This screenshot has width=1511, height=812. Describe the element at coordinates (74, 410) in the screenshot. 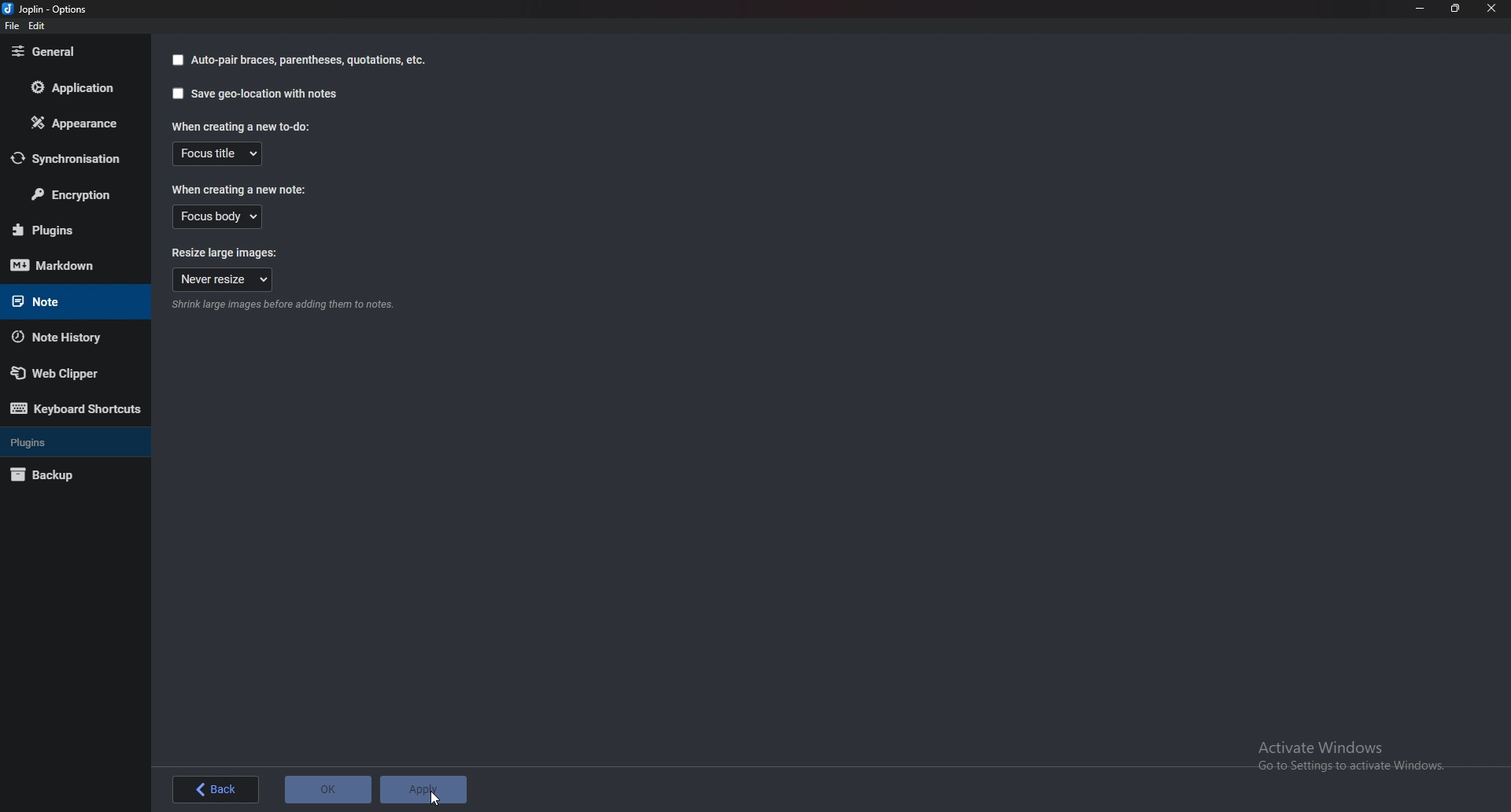

I see `Keyboard shortcuts` at that location.